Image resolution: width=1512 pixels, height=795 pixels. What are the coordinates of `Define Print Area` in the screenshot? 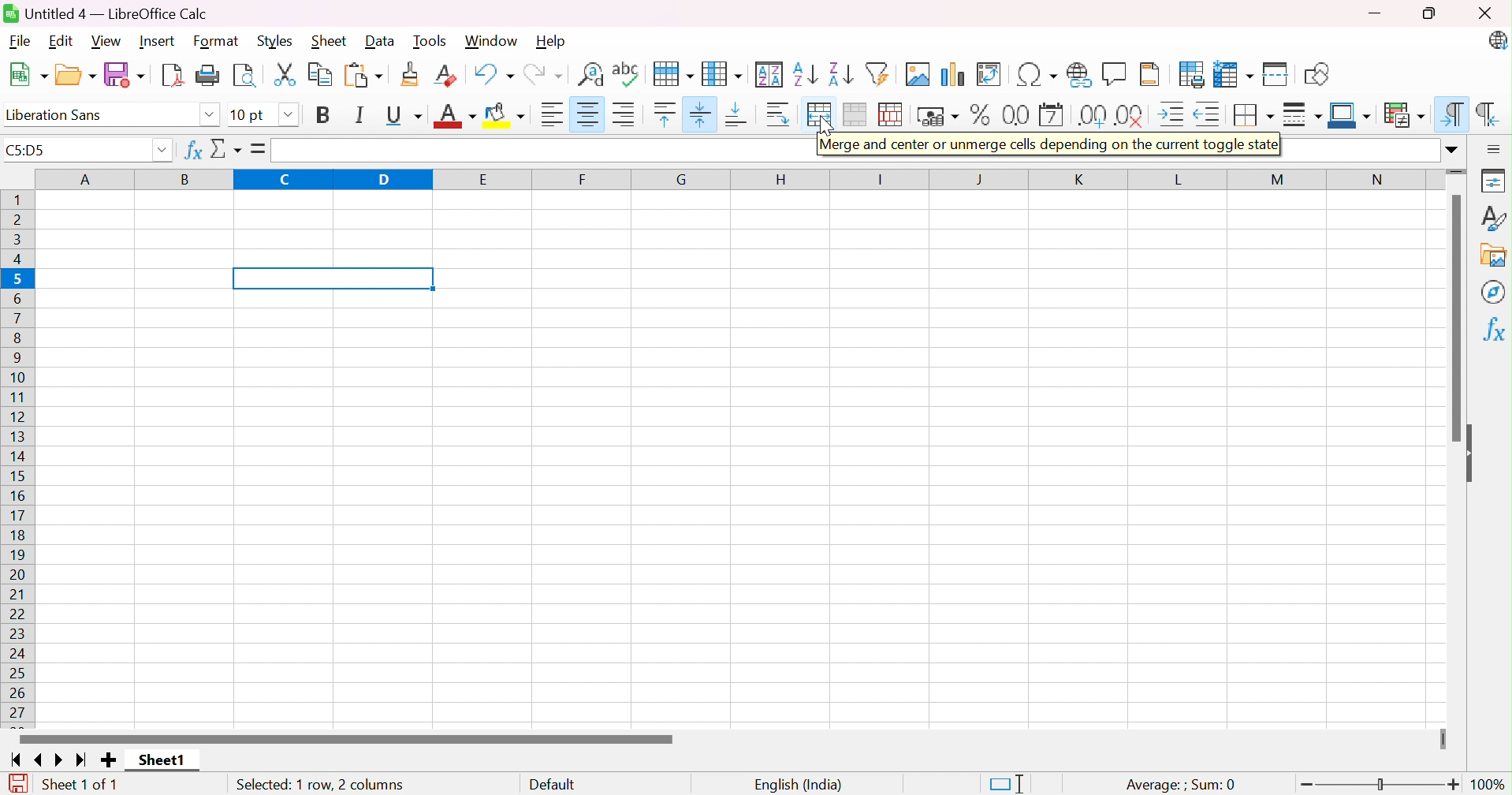 It's located at (1191, 74).